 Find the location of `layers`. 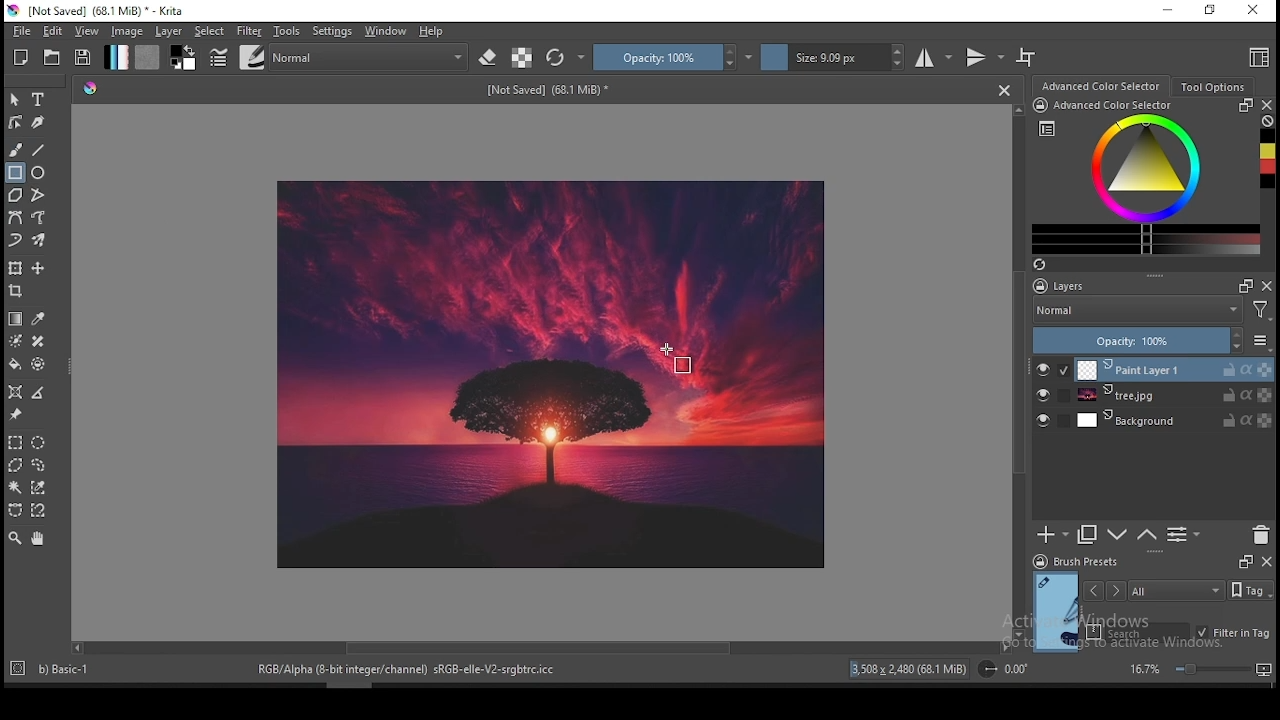

layers is located at coordinates (1110, 285).